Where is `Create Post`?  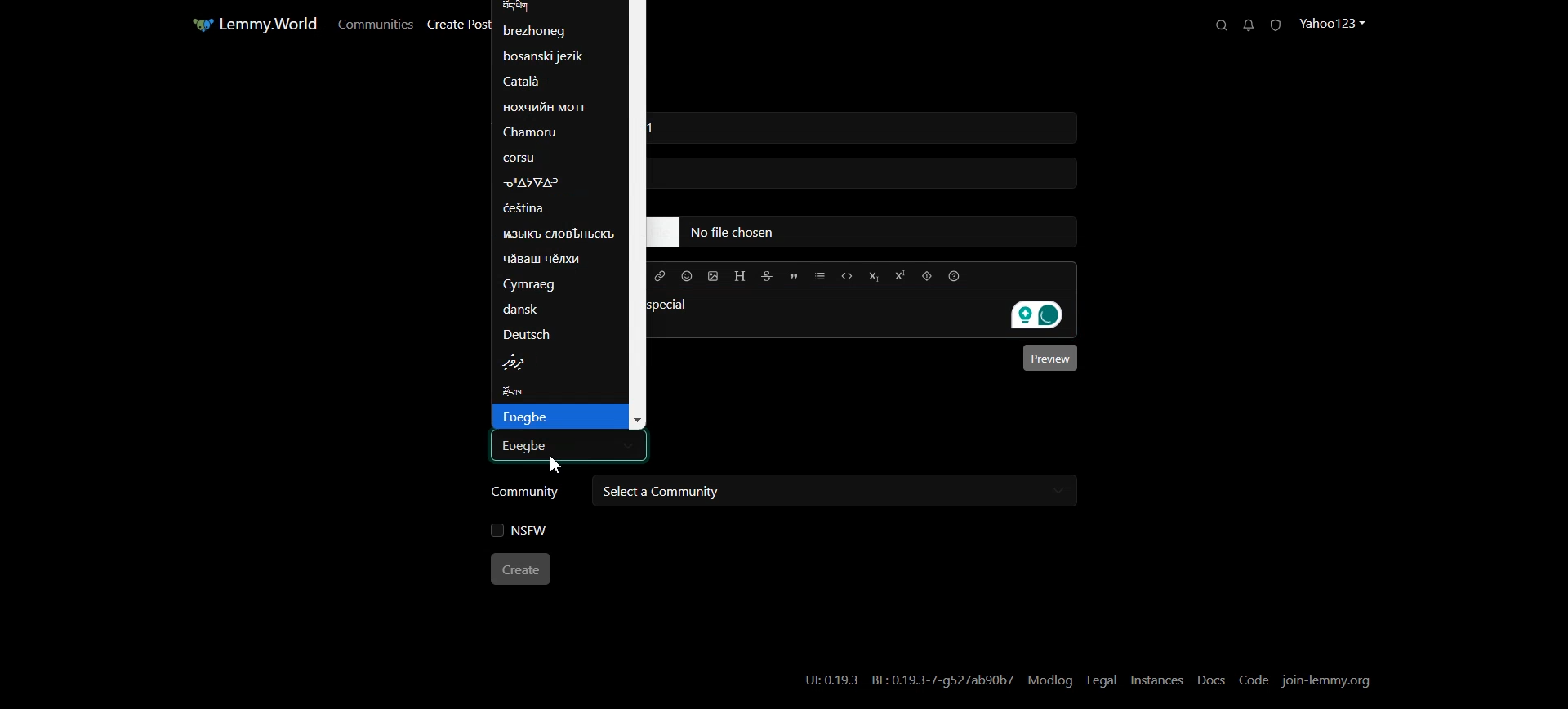
Create Post is located at coordinates (458, 25).